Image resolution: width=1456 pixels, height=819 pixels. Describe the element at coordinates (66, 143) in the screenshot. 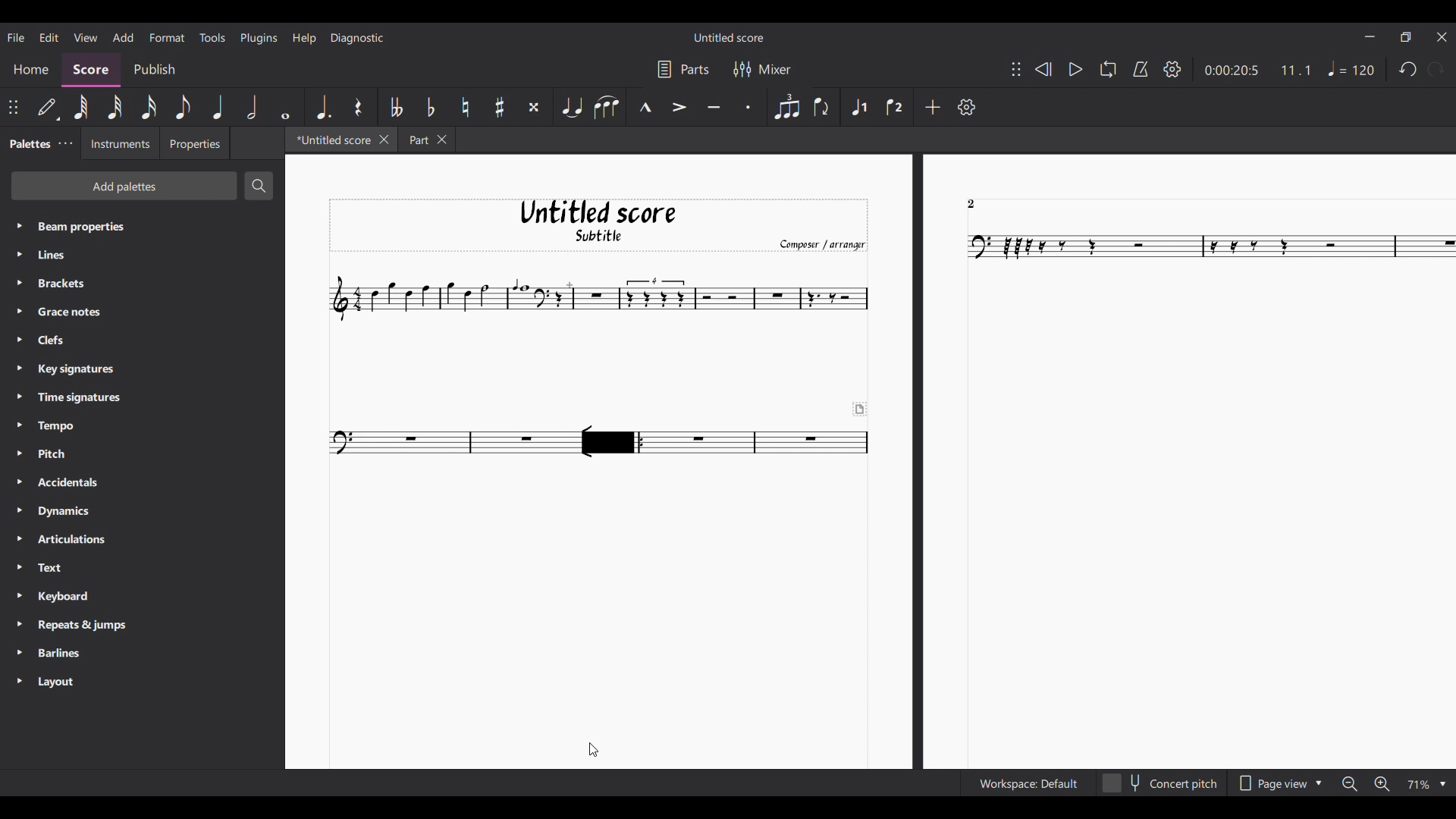

I see `Palette settings` at that location.